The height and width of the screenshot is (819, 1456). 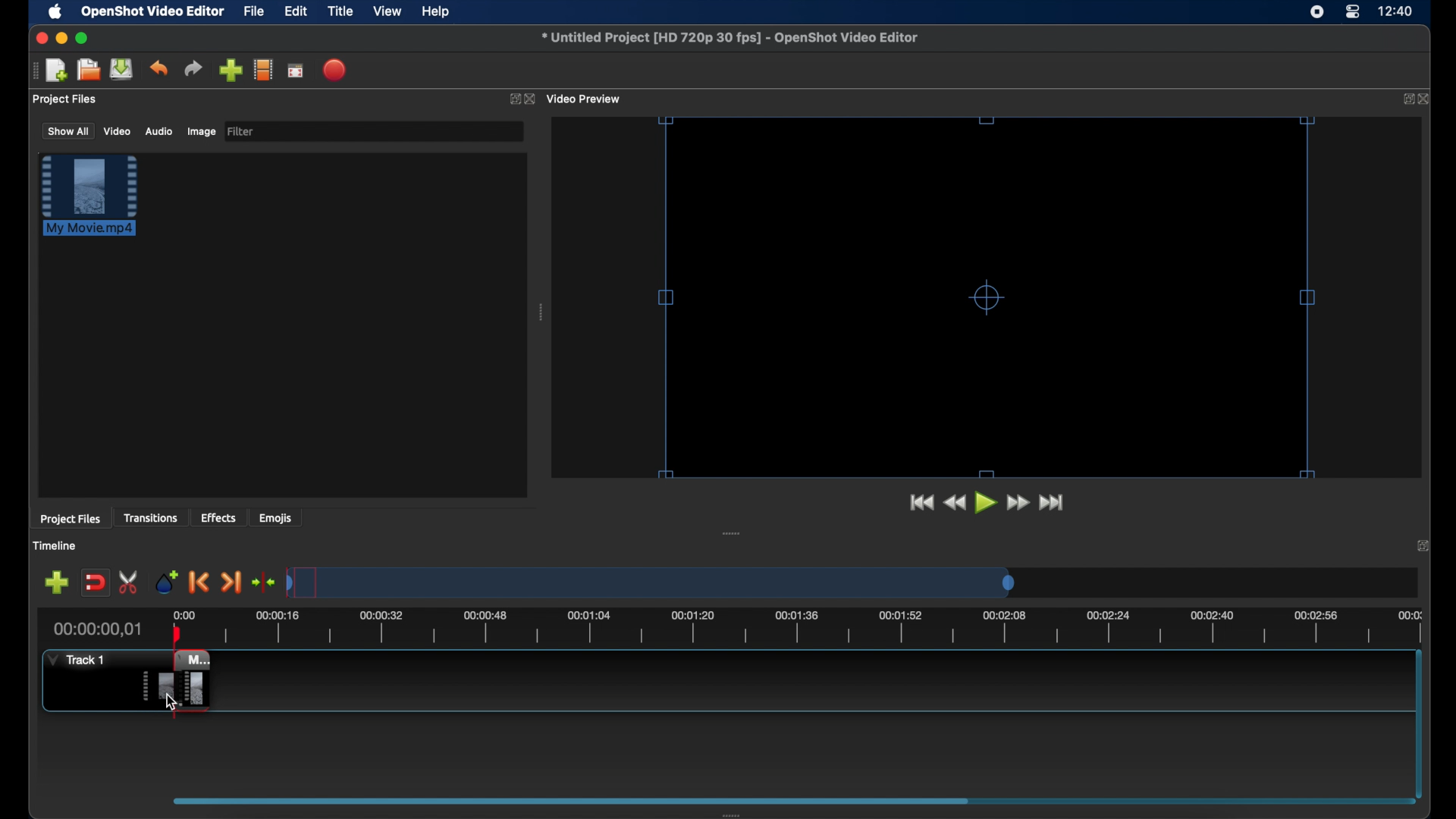 I want to click on maximize, so click(x=83, y=38).